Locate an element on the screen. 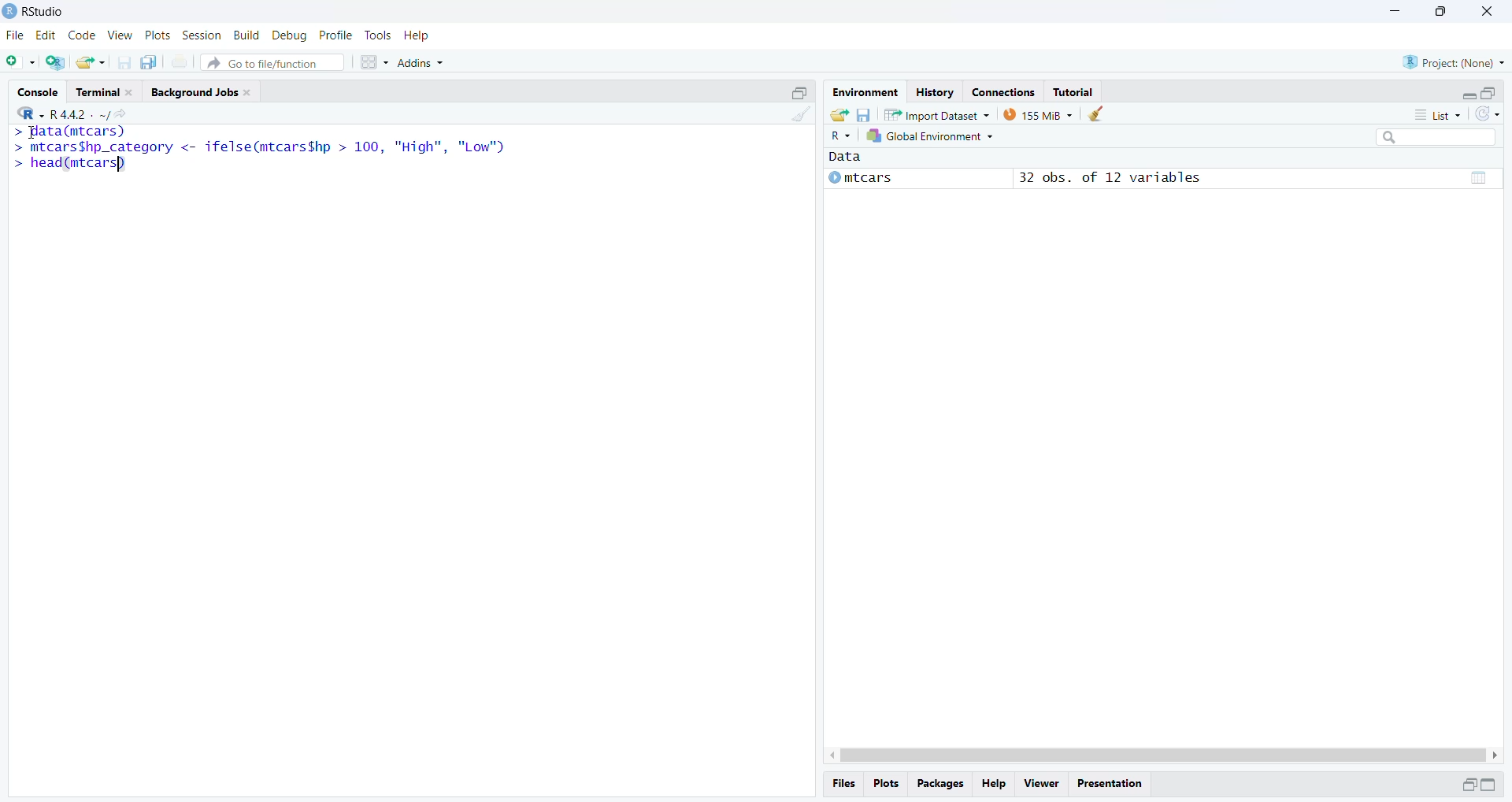 This screenshot has height=802, width=1512. Go to file/function is located at coordinates (274, 61).